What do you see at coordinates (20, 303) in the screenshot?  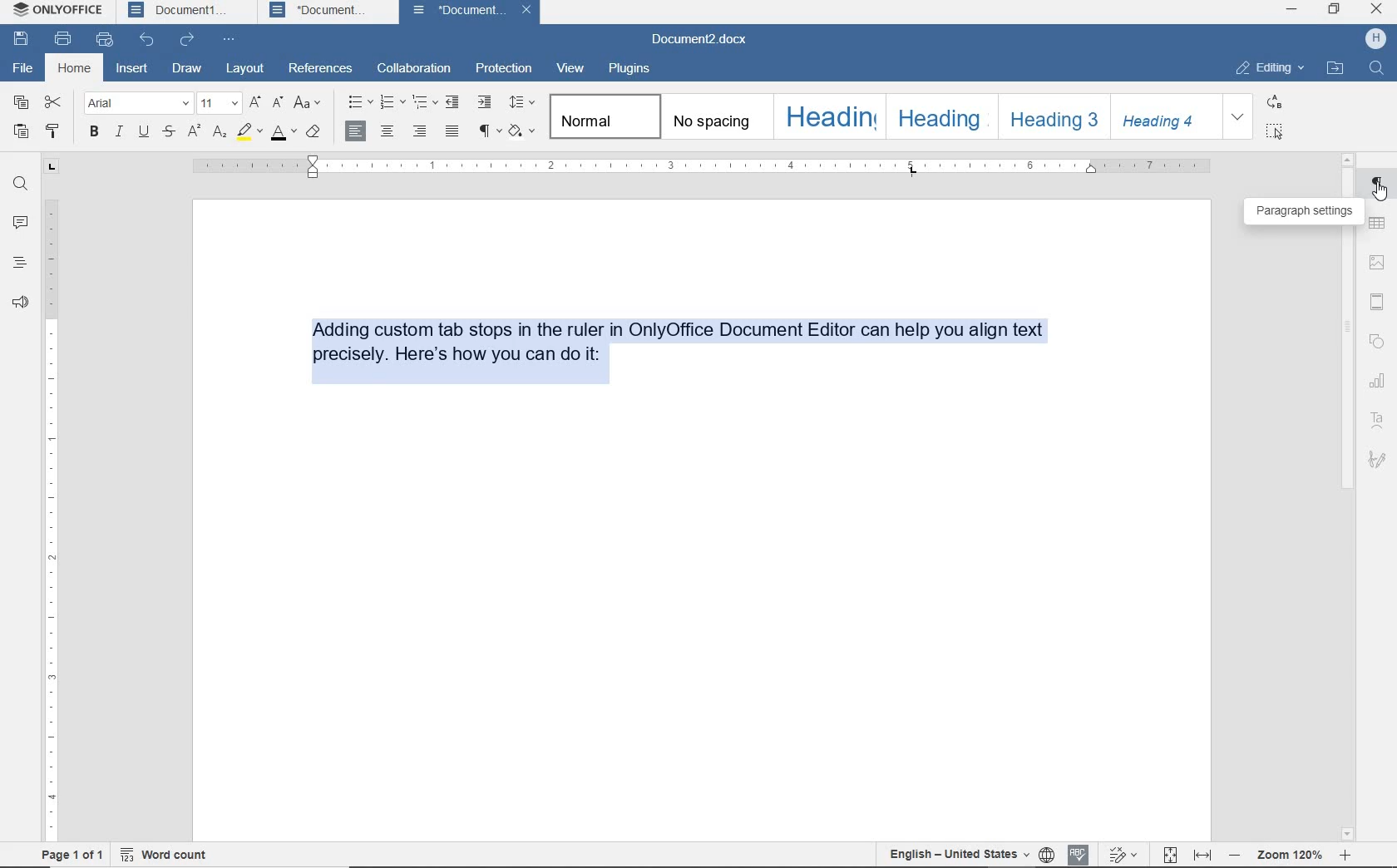 I see `feedback & support` at bounding box center [20, 303].